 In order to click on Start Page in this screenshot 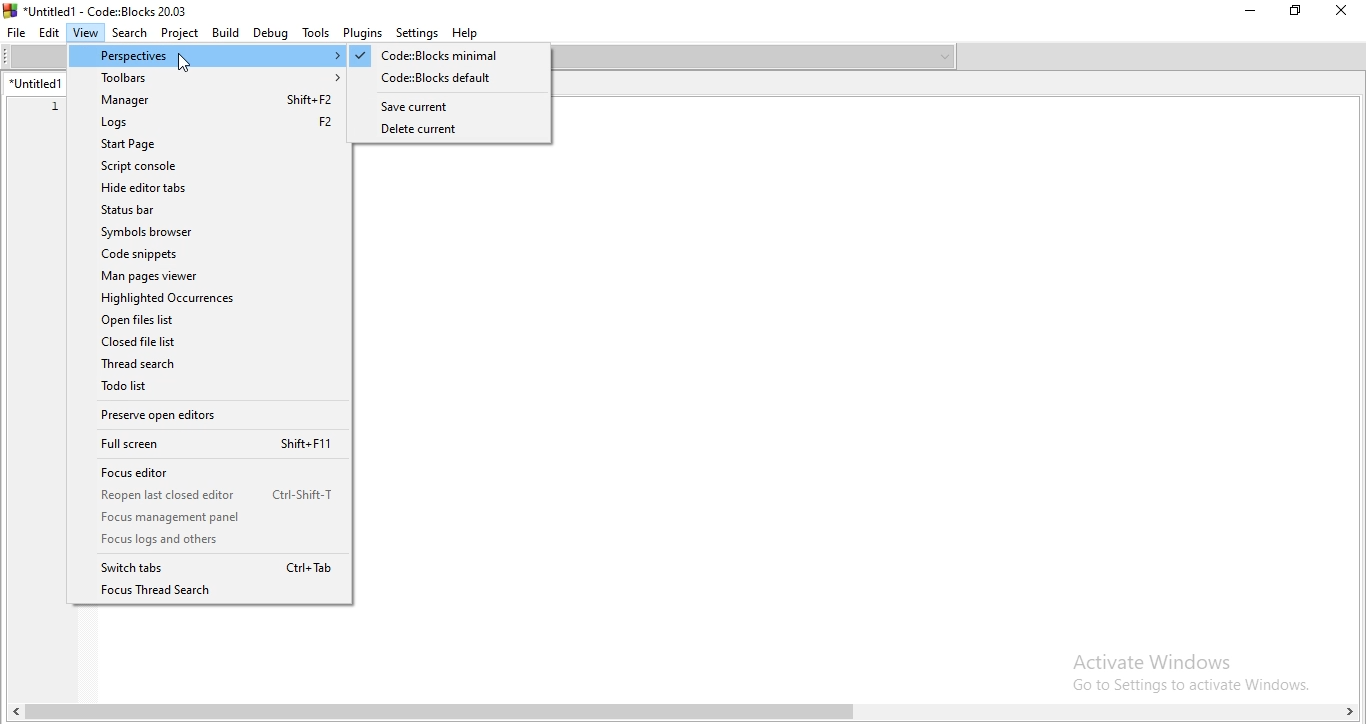, I will do `click(210, 145)`.